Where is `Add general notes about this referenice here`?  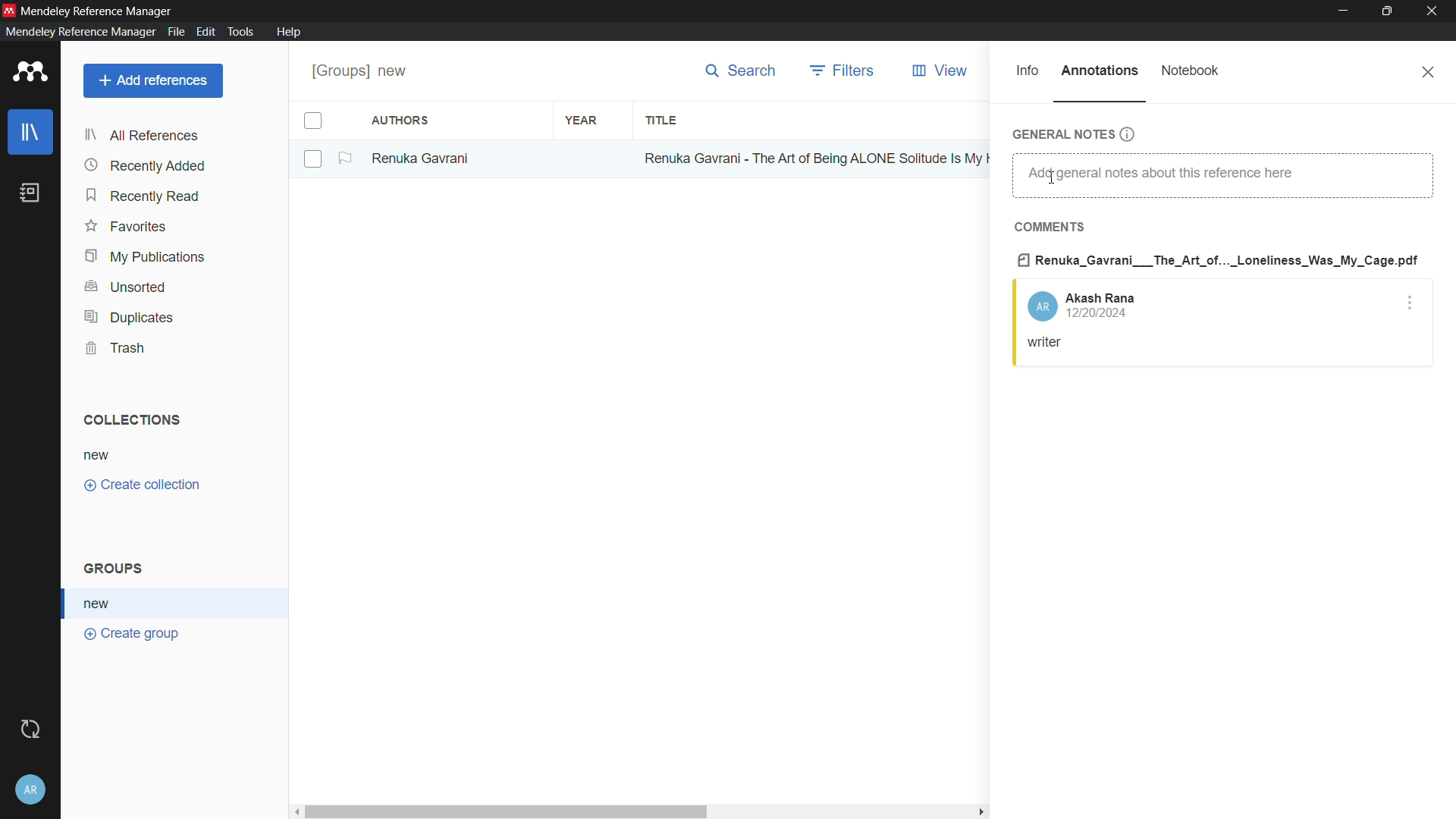 Add general notes about this referenice here is located at coordinates (1221, 175).